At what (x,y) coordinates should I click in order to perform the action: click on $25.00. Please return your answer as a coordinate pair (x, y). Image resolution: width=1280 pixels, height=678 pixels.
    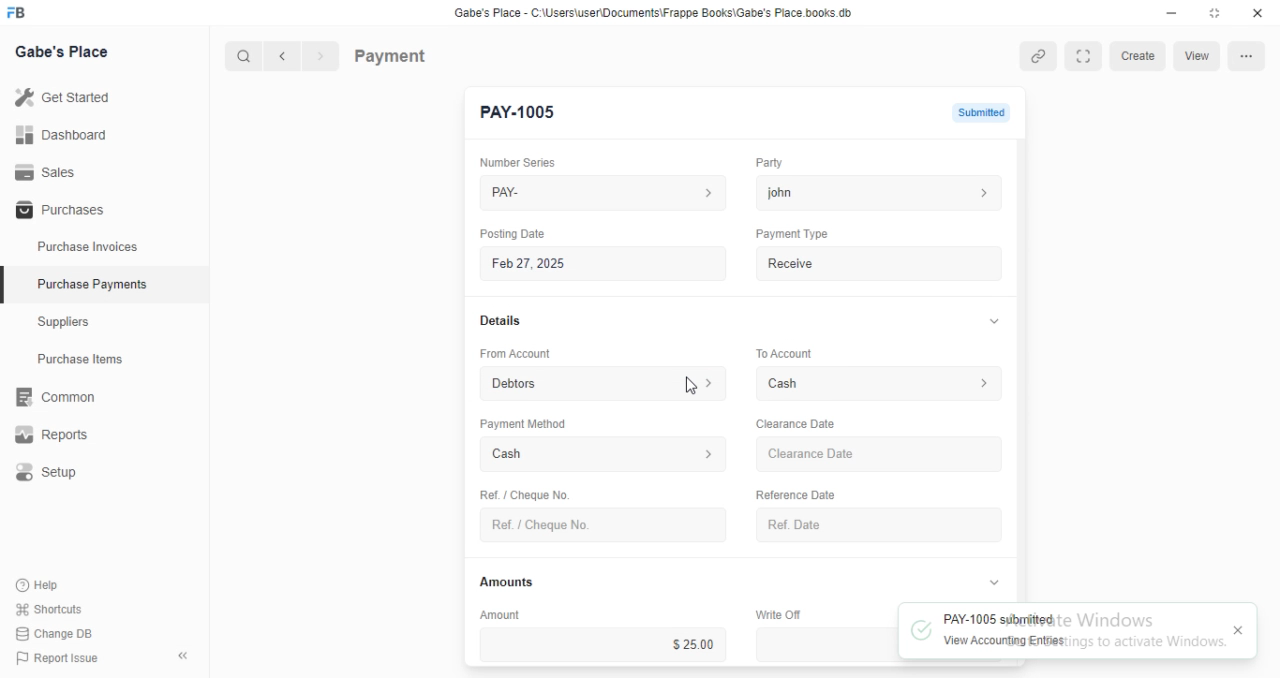
    Looking at the image, I should click on (603, 644).